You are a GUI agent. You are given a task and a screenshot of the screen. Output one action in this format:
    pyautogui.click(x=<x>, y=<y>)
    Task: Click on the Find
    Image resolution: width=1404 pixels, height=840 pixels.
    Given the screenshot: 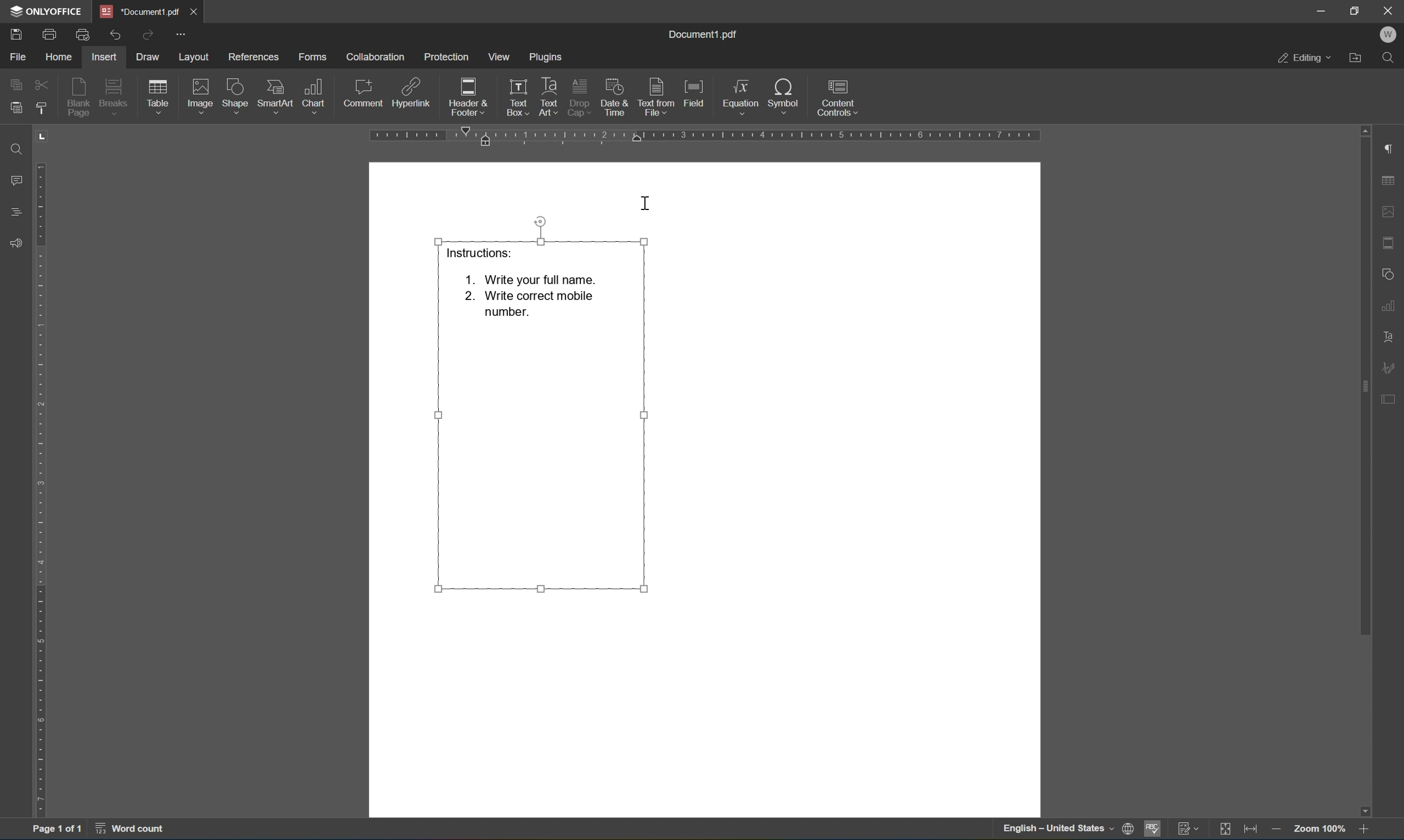 What is the action you would take?
    pyautogui.click(x=18, y=150)
    